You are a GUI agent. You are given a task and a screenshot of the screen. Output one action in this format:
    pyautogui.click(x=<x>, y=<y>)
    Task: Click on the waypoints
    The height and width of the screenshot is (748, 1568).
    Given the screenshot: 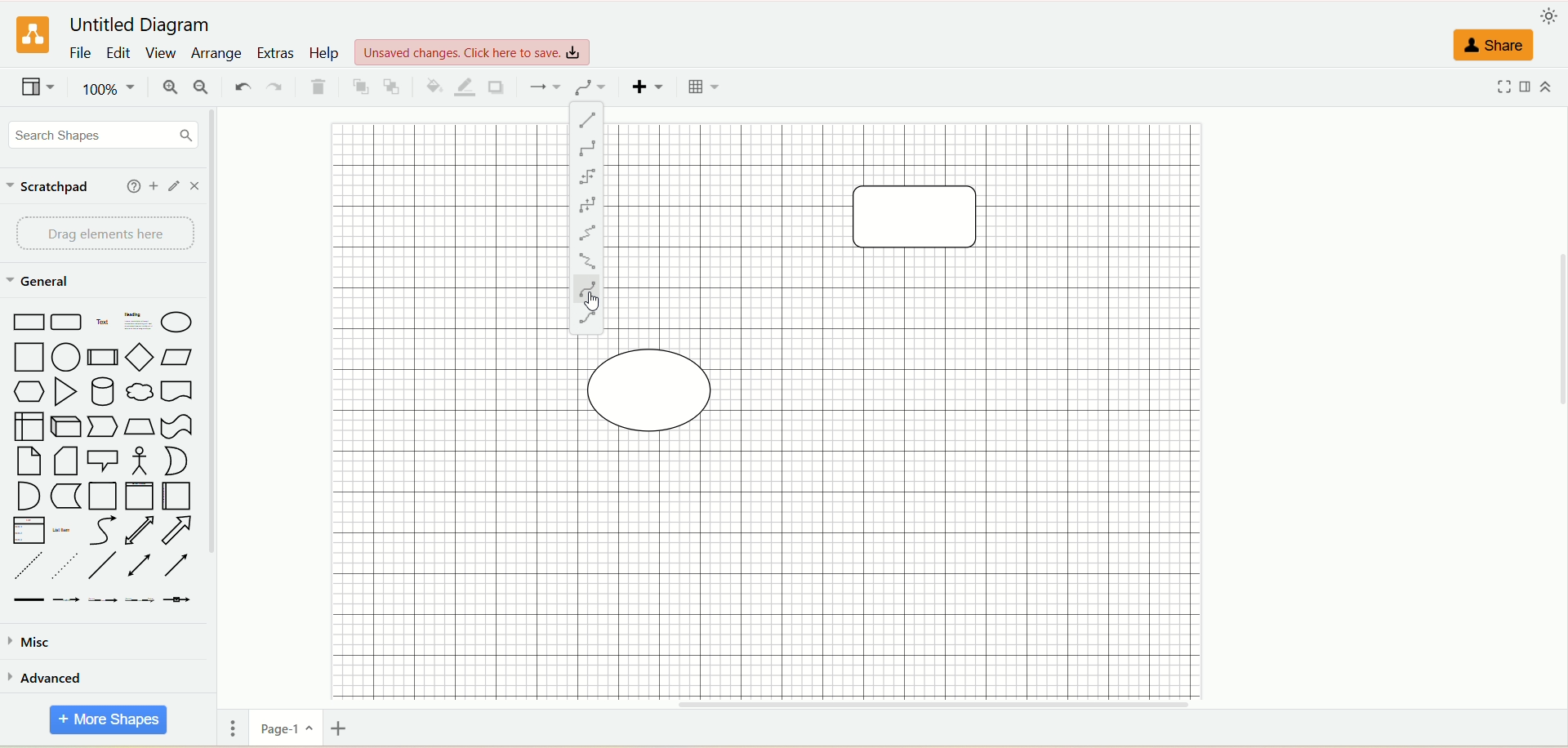 What is the action you would take?
    pyautogui.click(x=590, y=87)
    